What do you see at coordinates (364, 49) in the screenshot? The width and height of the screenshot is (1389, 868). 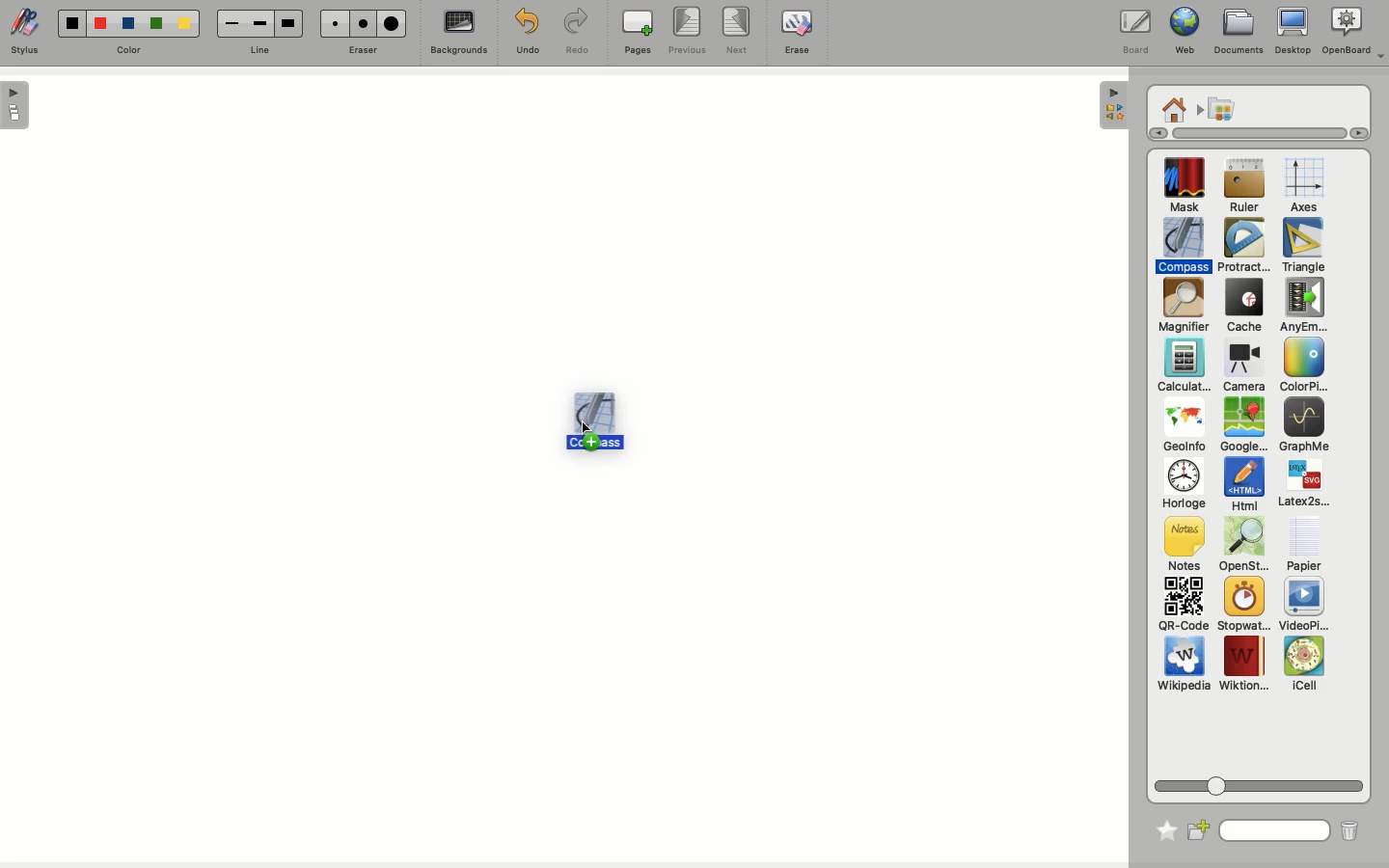 I see `Eraser` at bounding box center [364, 49].